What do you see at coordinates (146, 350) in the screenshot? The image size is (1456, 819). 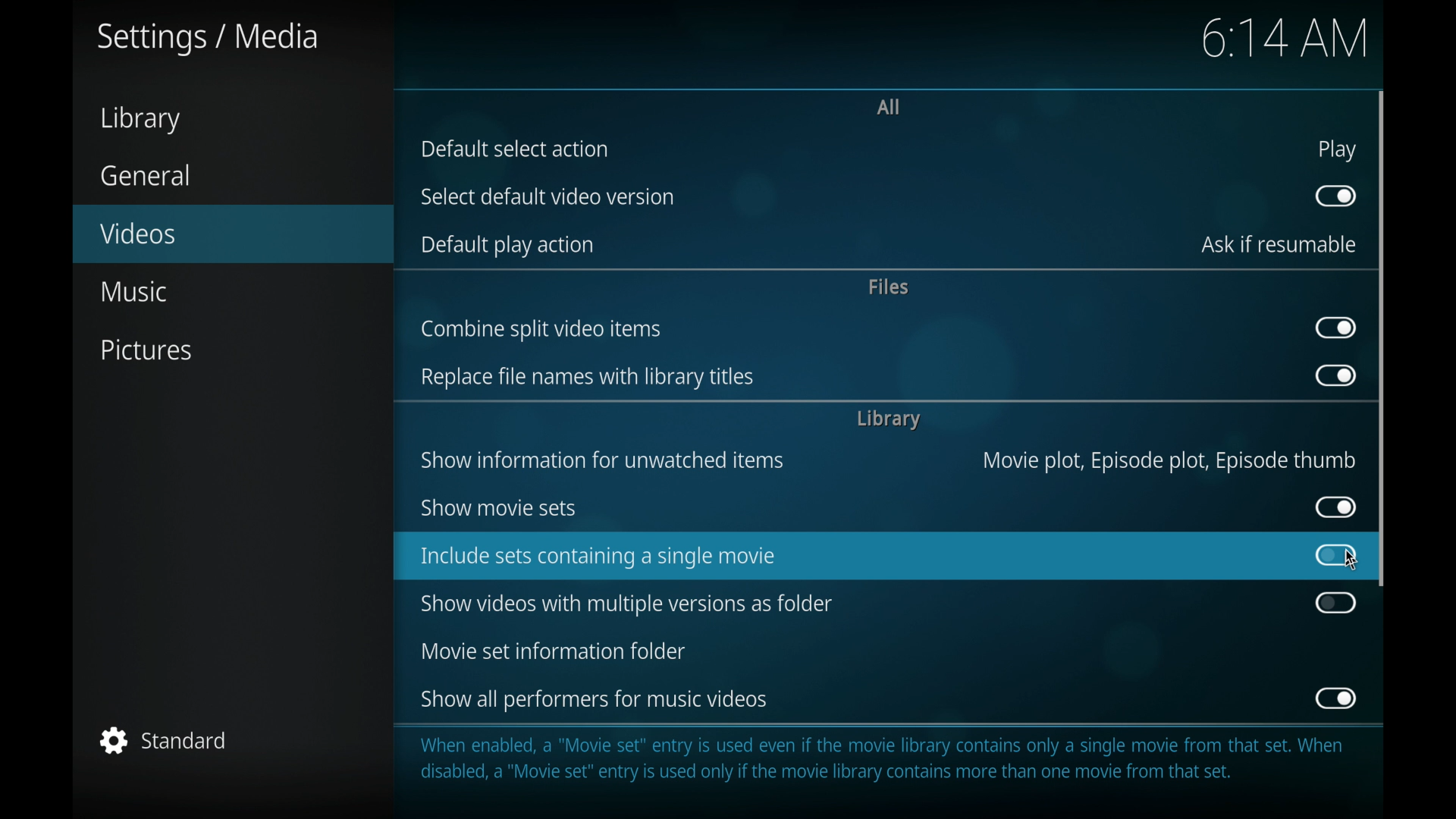 I see `pictures` at bounding box center [146, 350].